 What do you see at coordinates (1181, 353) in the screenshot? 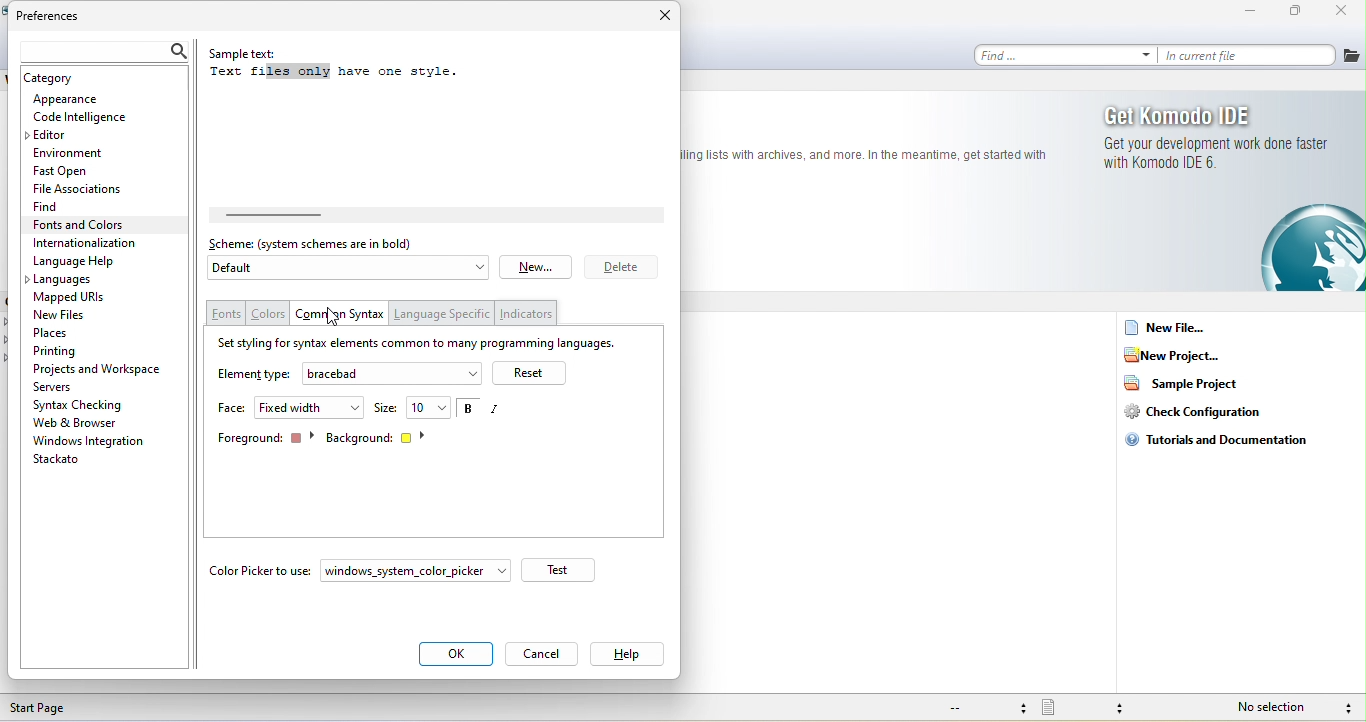
I see `new project` at bounding box center [1181, 353].